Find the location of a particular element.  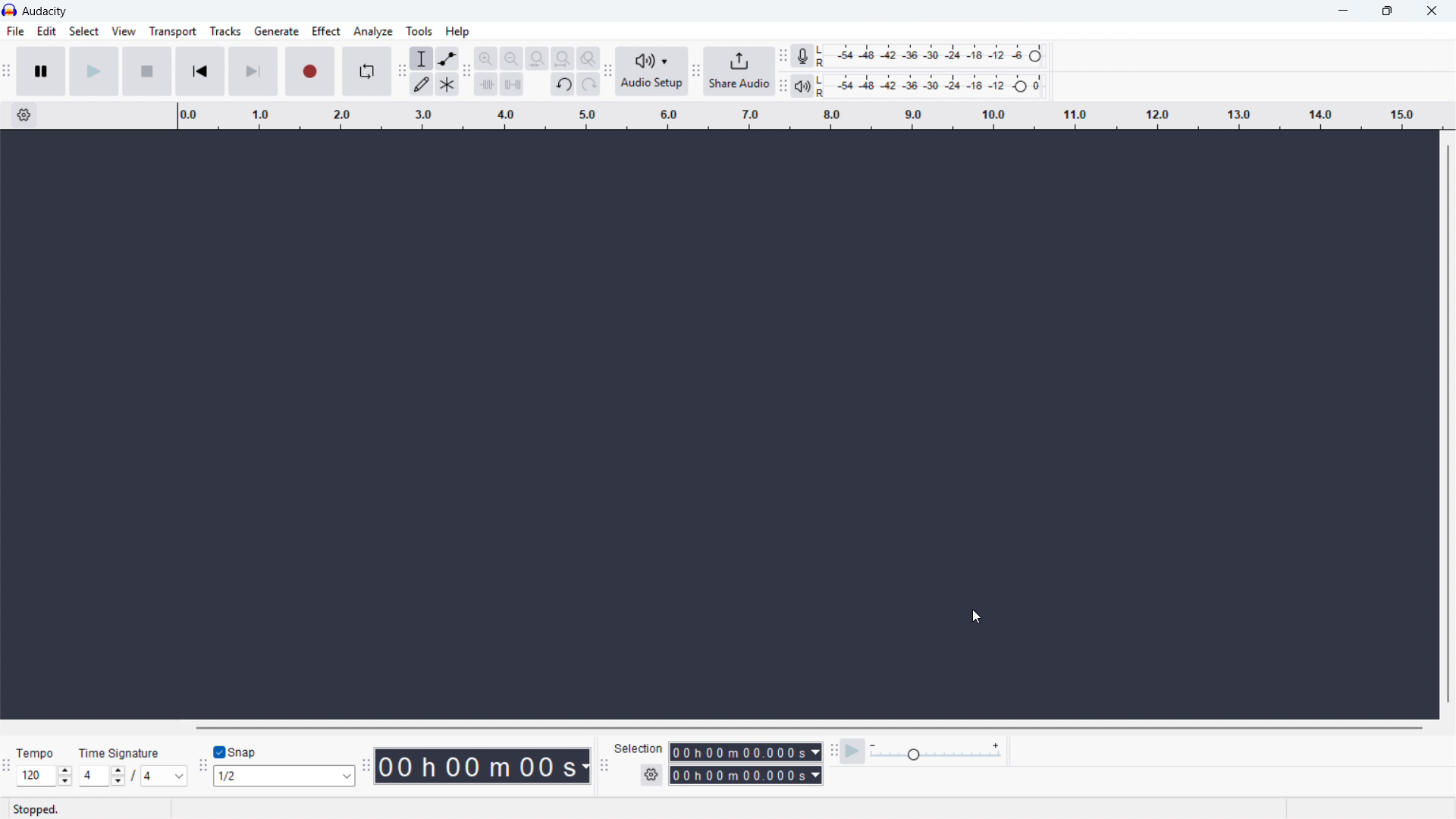

transport is located at coordinates (173, 31).